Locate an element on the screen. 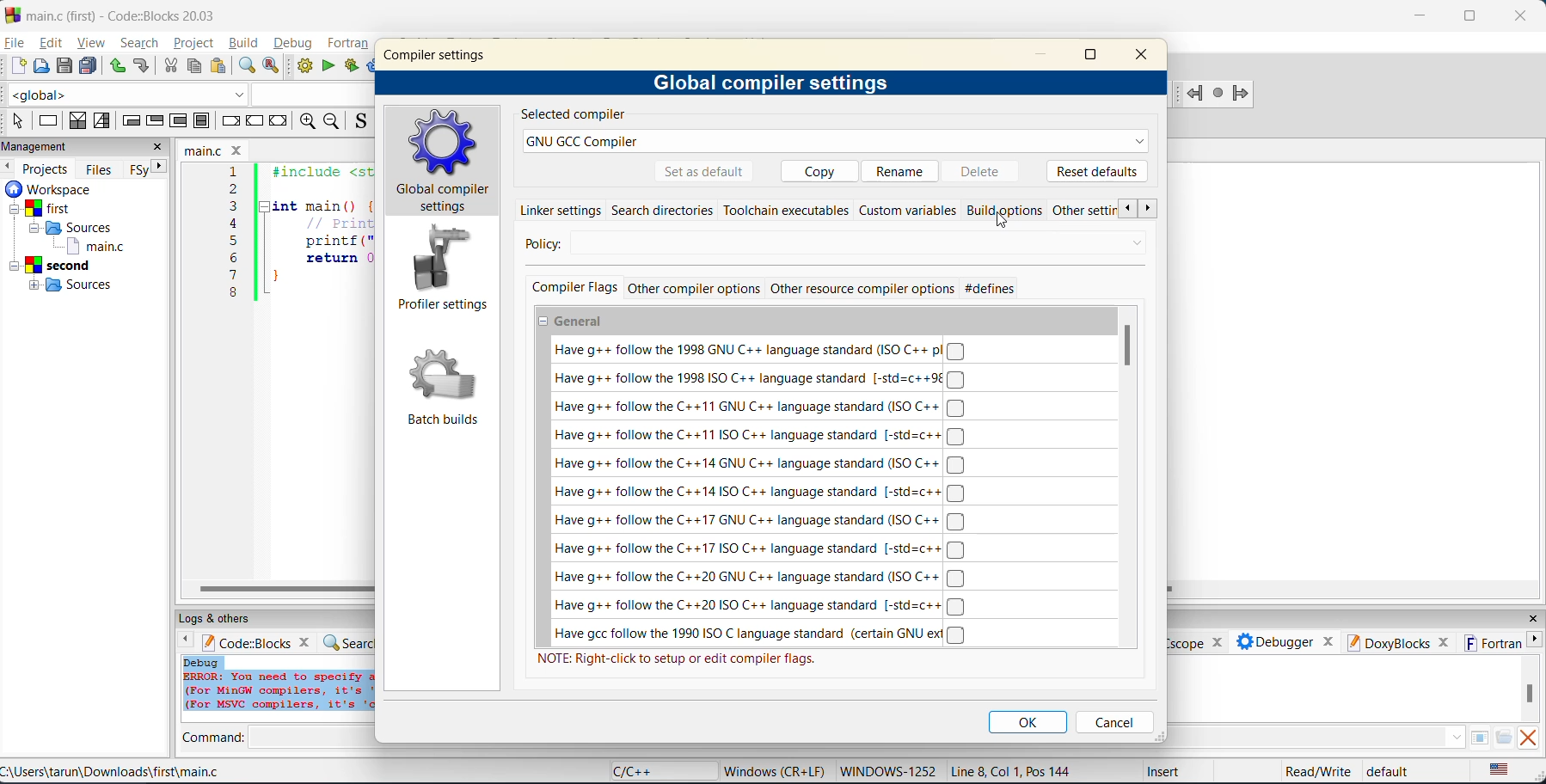 This screenshot has height=784, width=1546. undo is located at coordinates (117, 67).